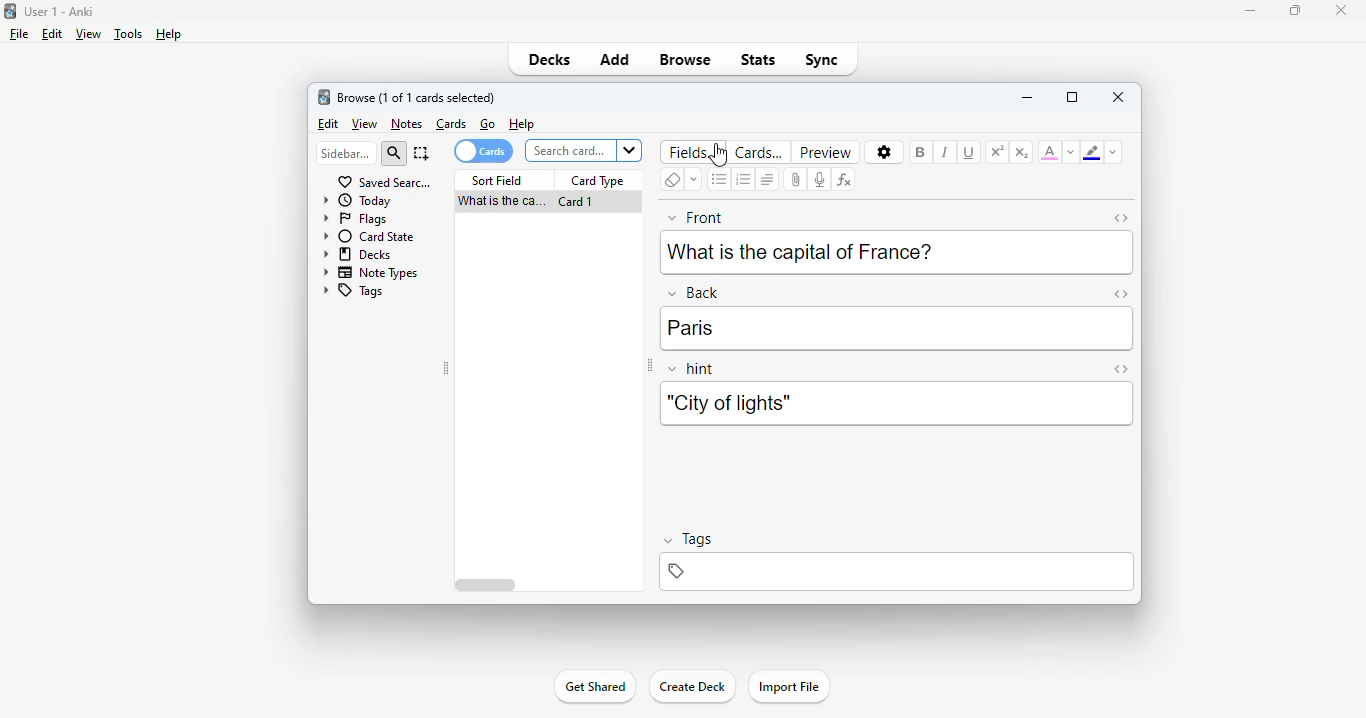 Image resolution: width=1366 pixels, height=718 pixels. What do you see at coordinates (796, 180) in the screenshot?
I see `attach pictures/audio/video` at bounding box center [796, 180].